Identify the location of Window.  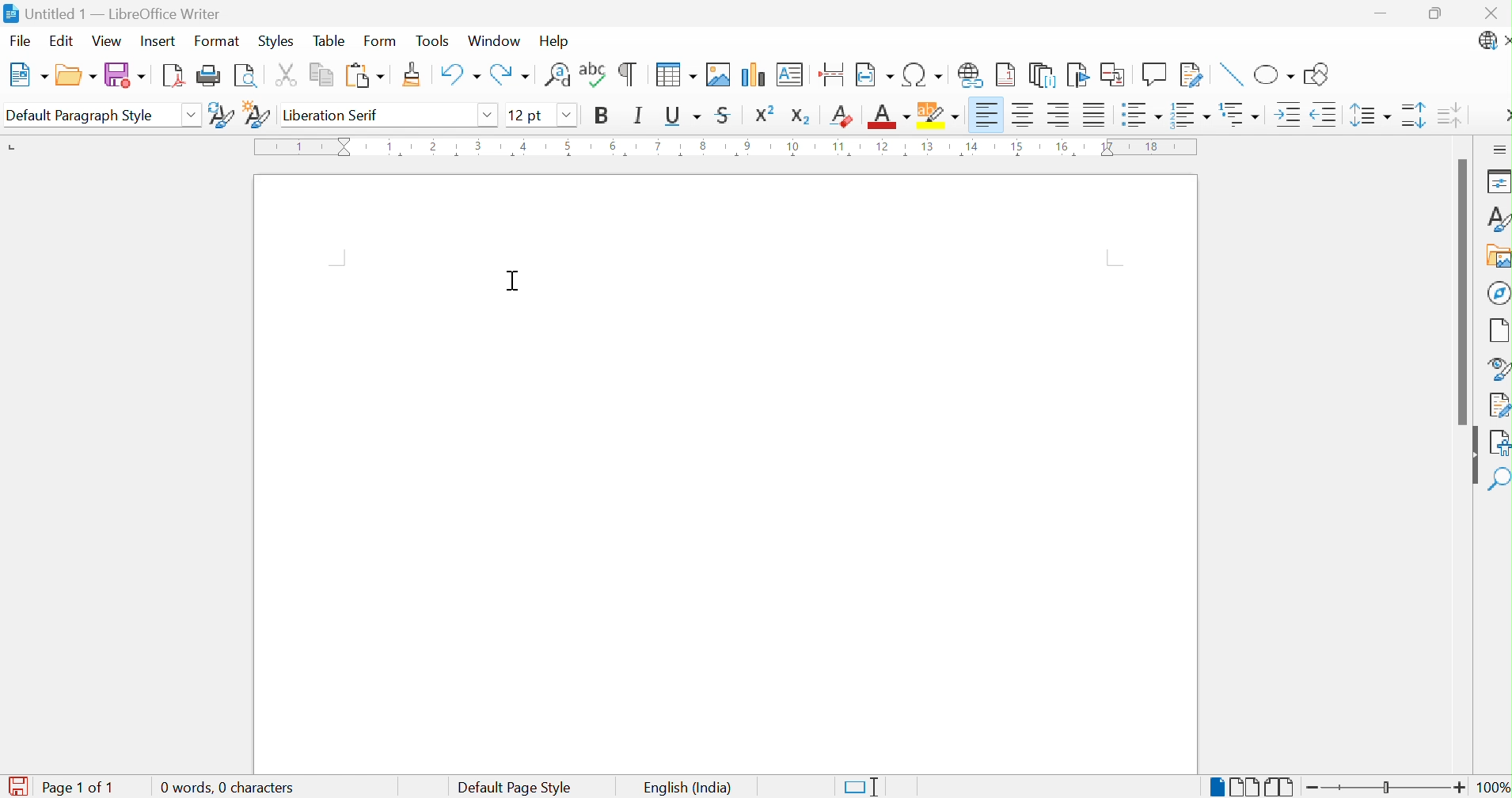
(495, 41).